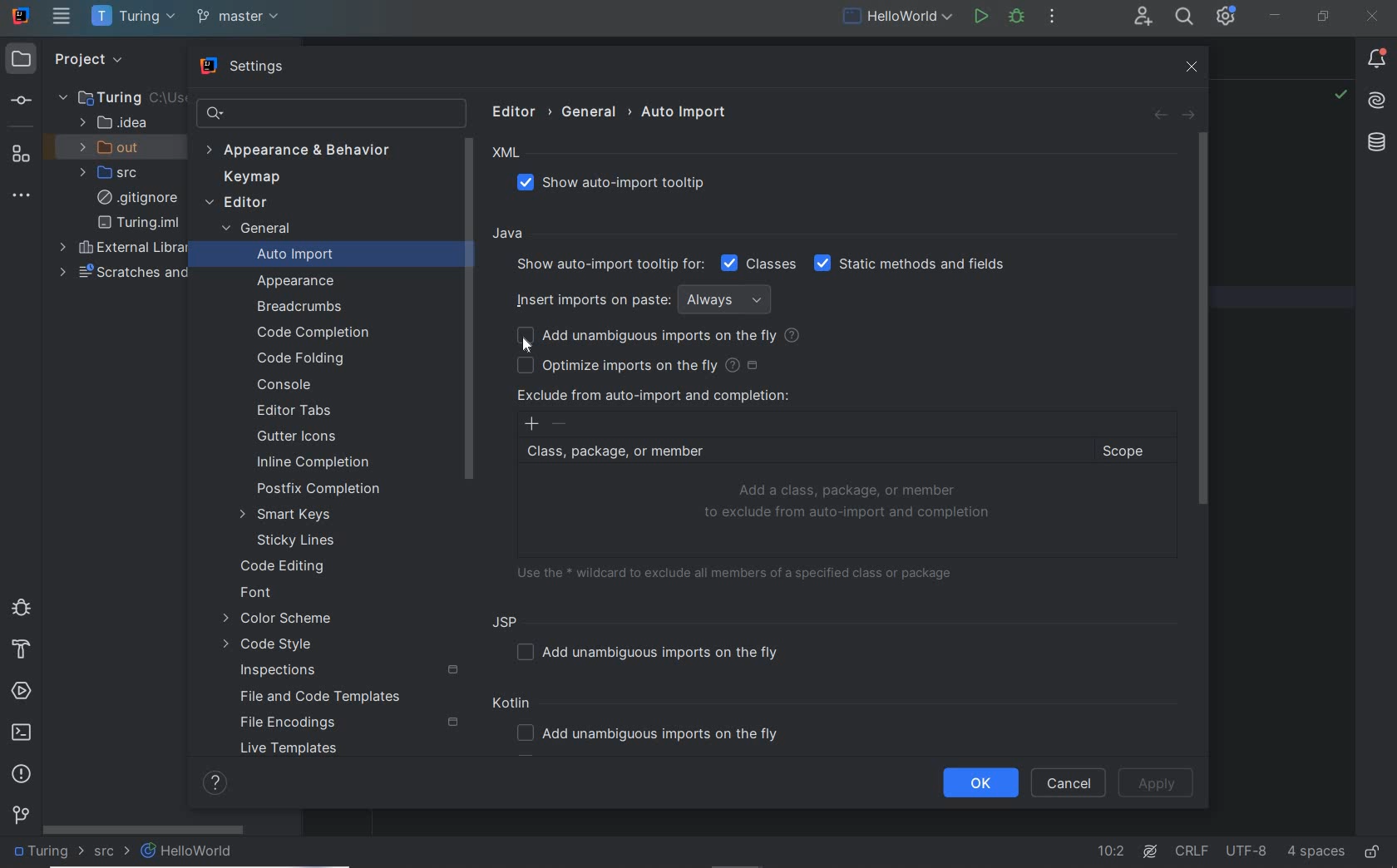 The height and width of the screenshot is (868, 1397). What do you see at coordinates (112, 852) in the screenshot?
I see `SRC` at bounding box center [112, 852].